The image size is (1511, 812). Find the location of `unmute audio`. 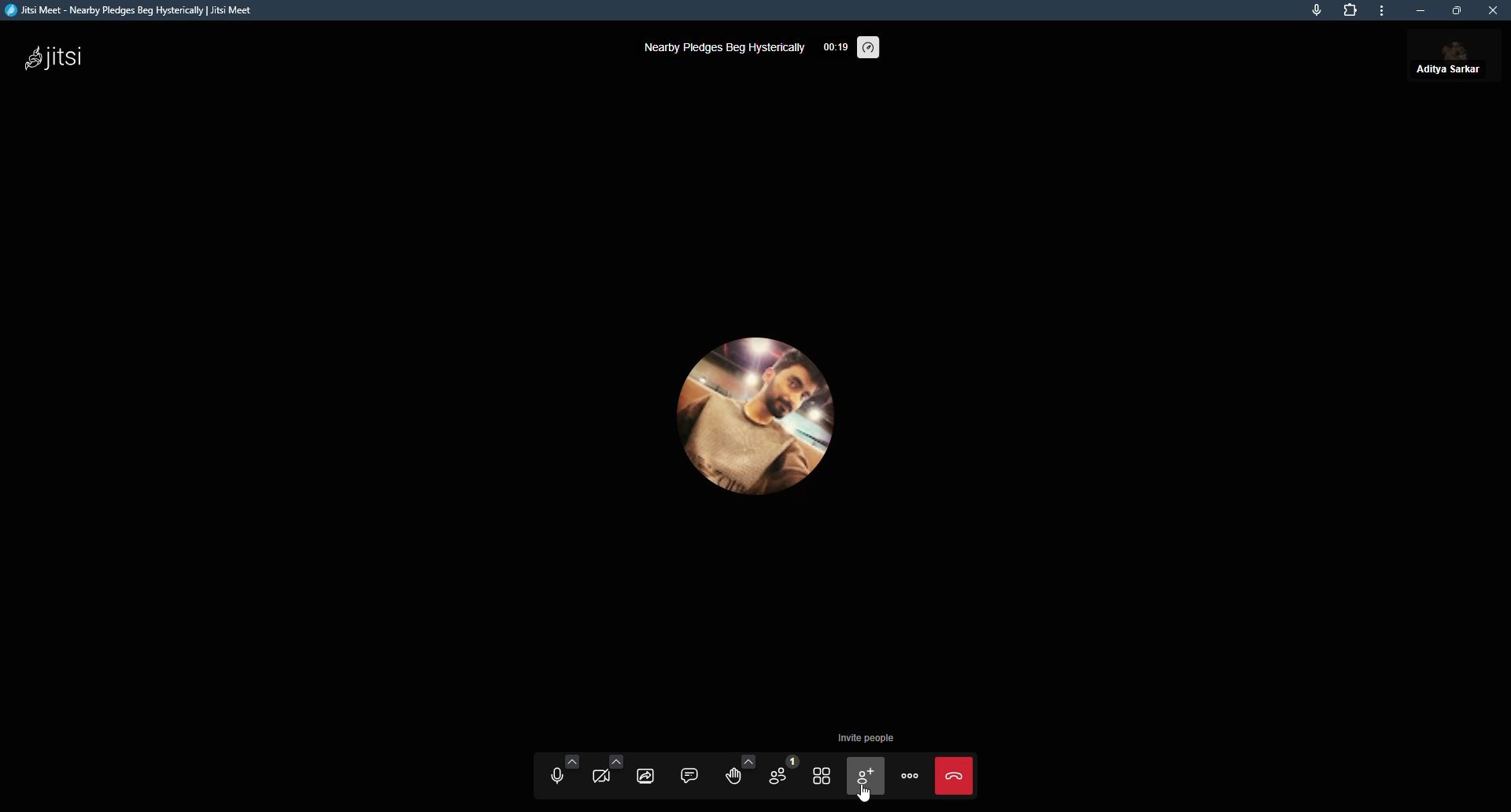

unmute audio is located at coordinates (563, 771).